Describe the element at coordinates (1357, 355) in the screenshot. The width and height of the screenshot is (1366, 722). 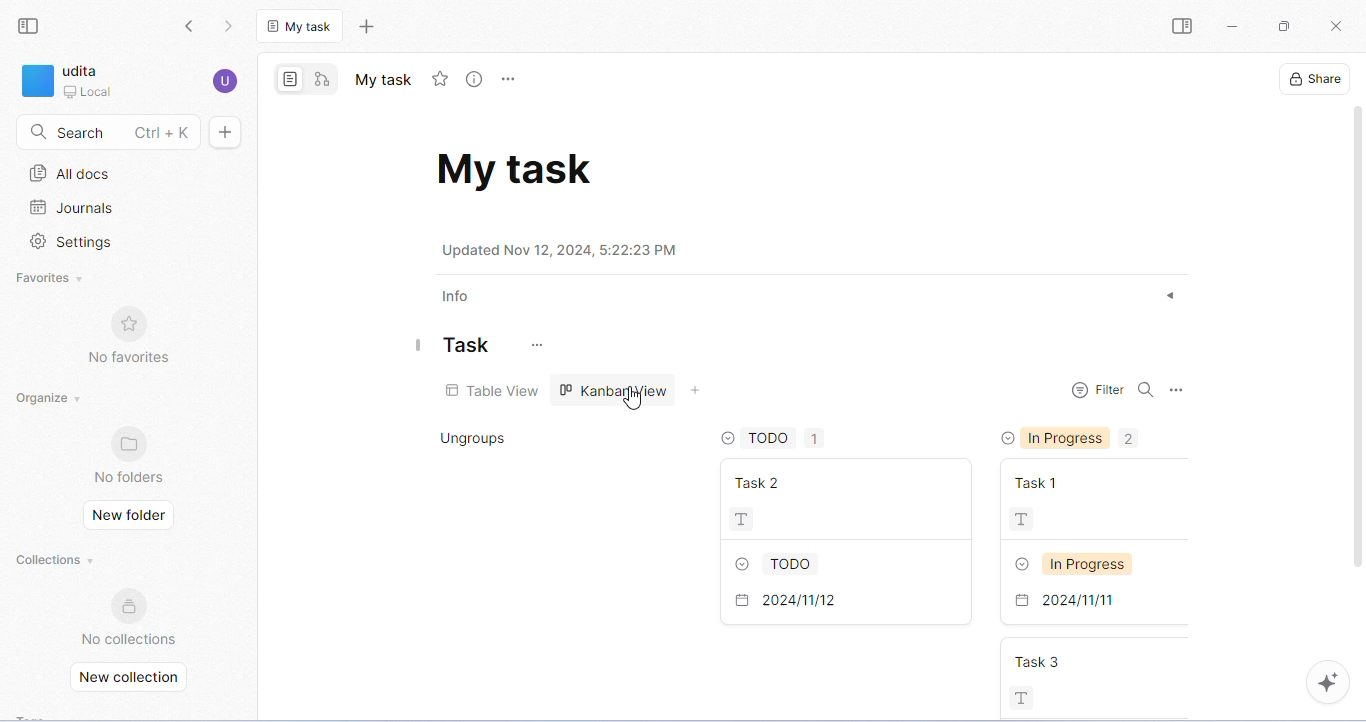
I see `vertical scroll bar` at that location.